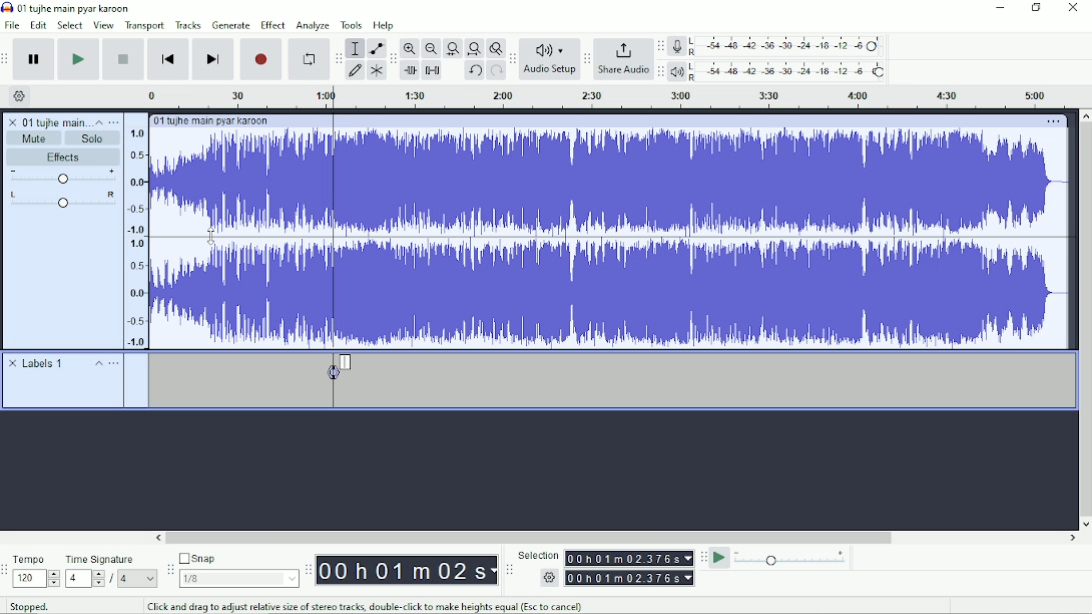 This screenshot has width=1092, height=614. Describe the element at coordinates (393, 58) in the screenshot. I see `Audacity edit toolbar` at that location.